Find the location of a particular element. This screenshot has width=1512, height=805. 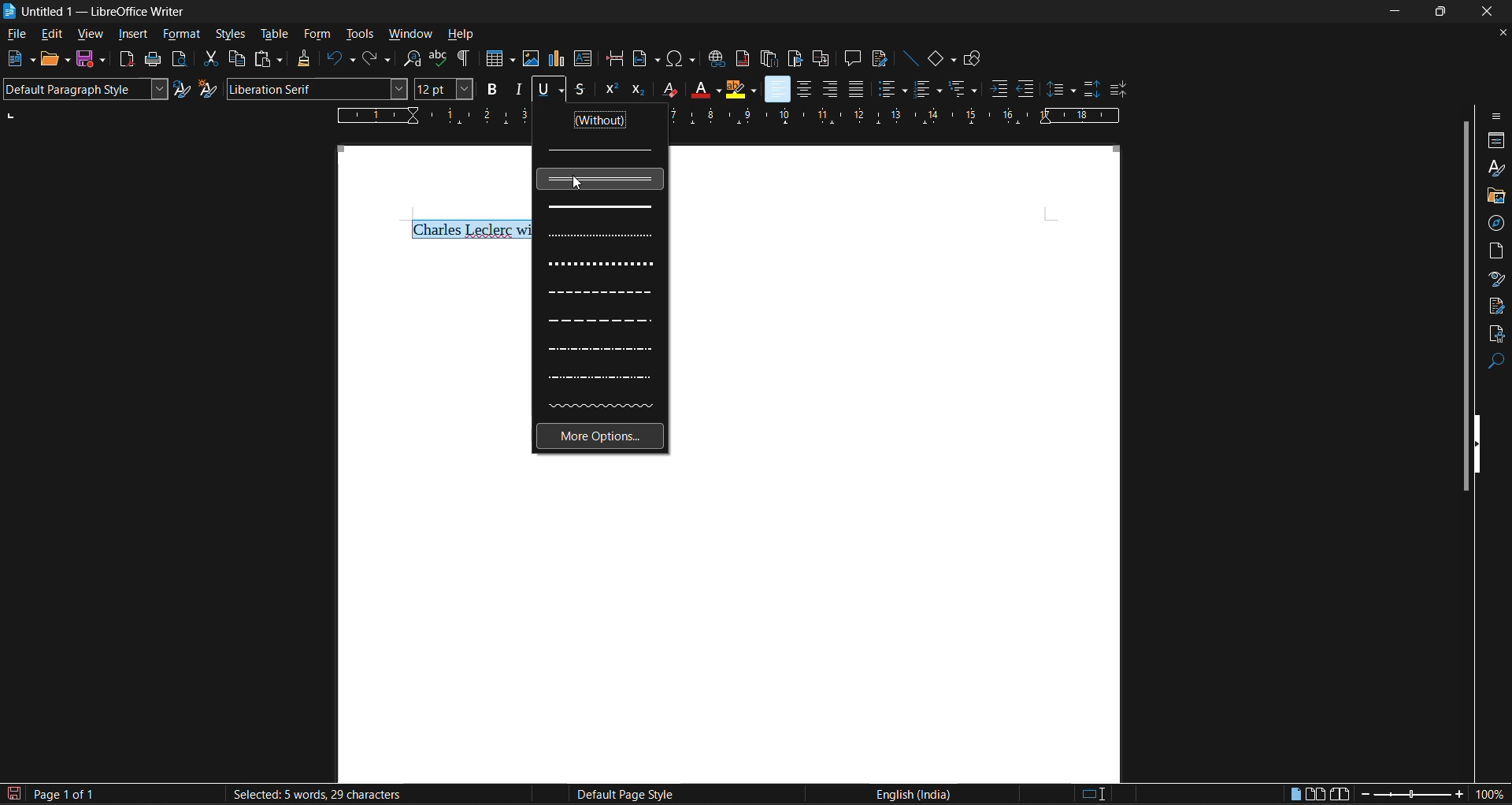

superscipt is located at coordinates (610, 90).